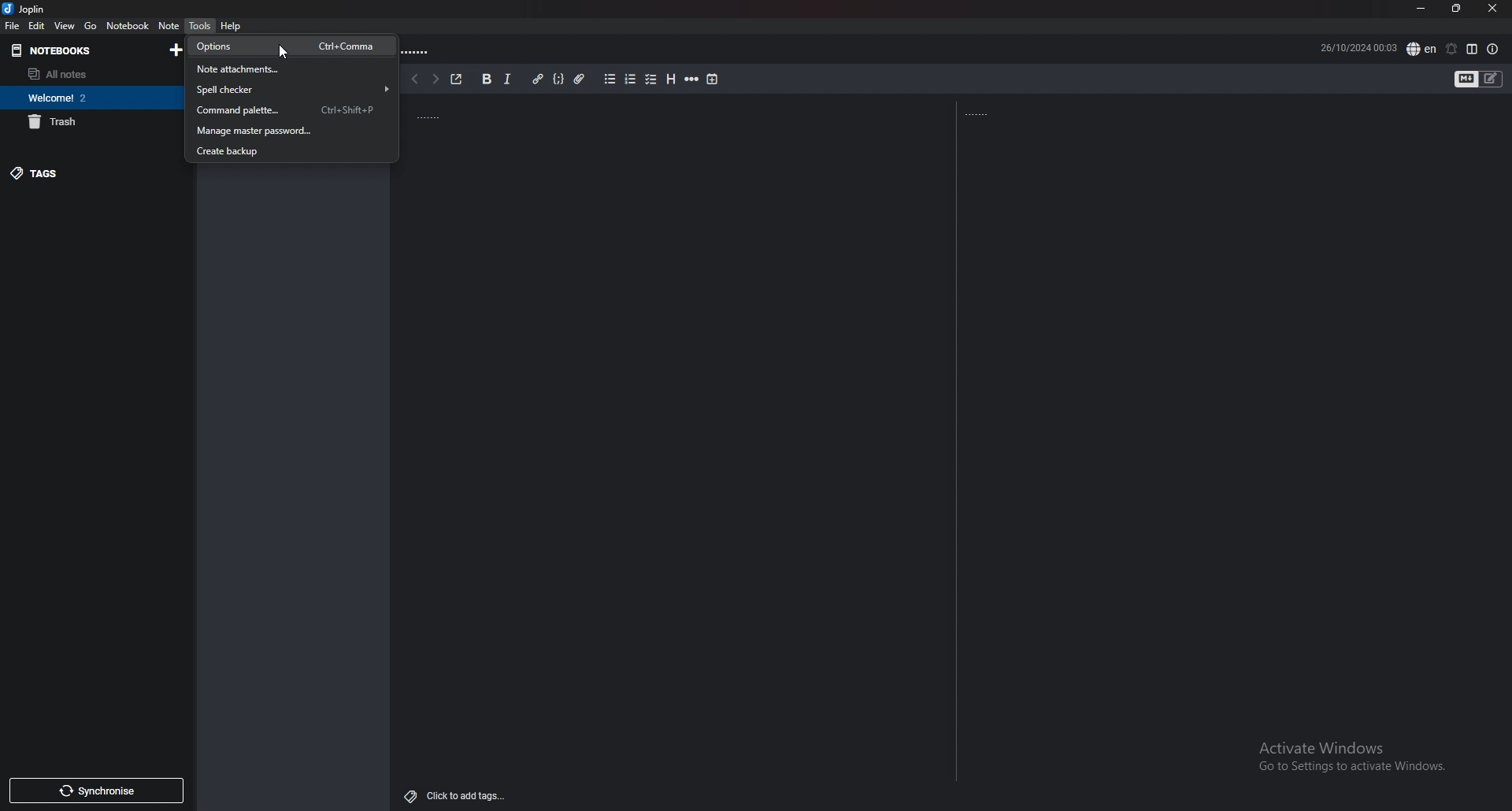 The height and width of the screenshot is (811, 1512). I want to click on add time, so click(713, 80).